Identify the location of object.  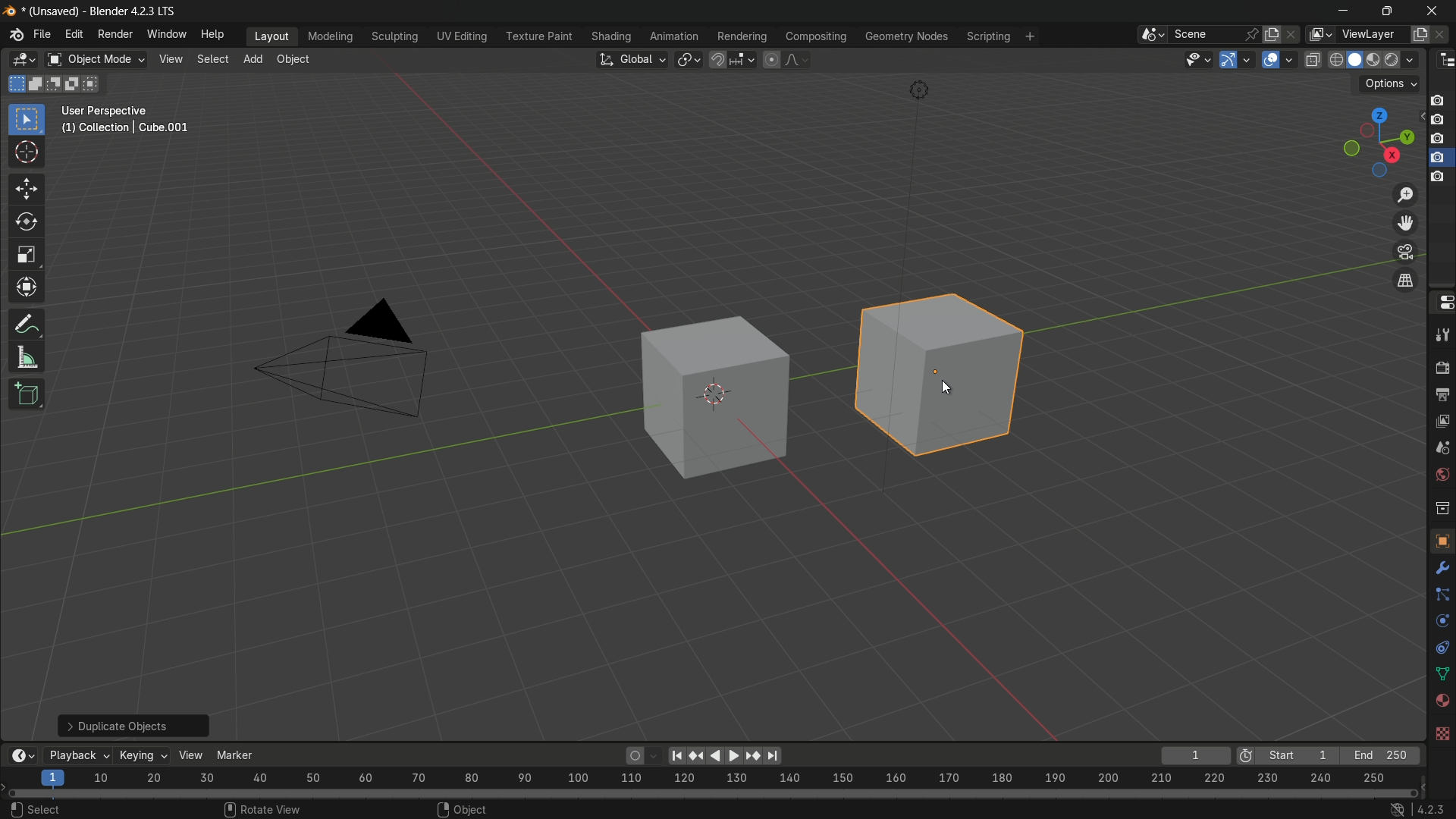
(1439, 540).